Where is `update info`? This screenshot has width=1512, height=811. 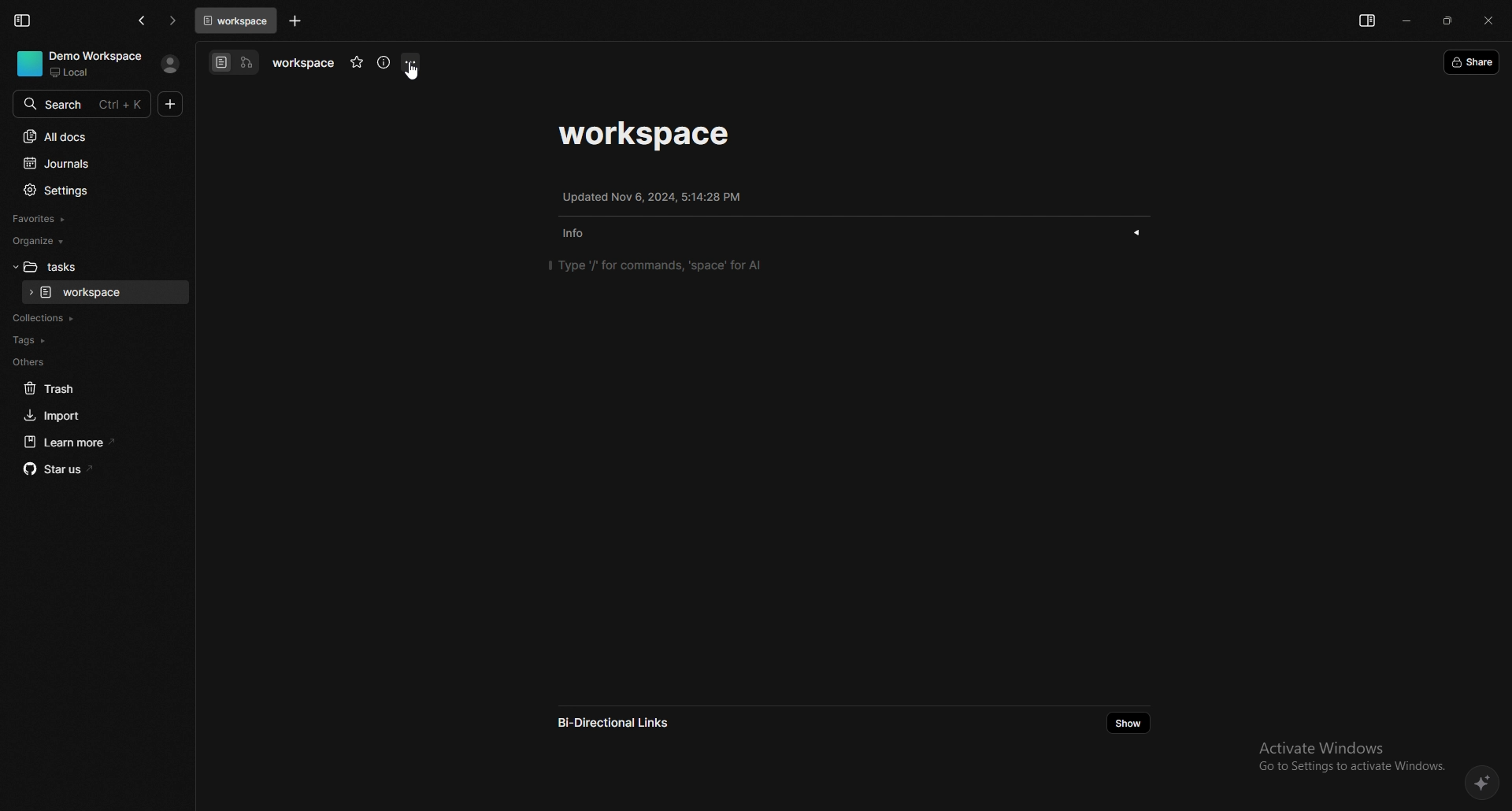
update info is located at coordinates (652, 197).